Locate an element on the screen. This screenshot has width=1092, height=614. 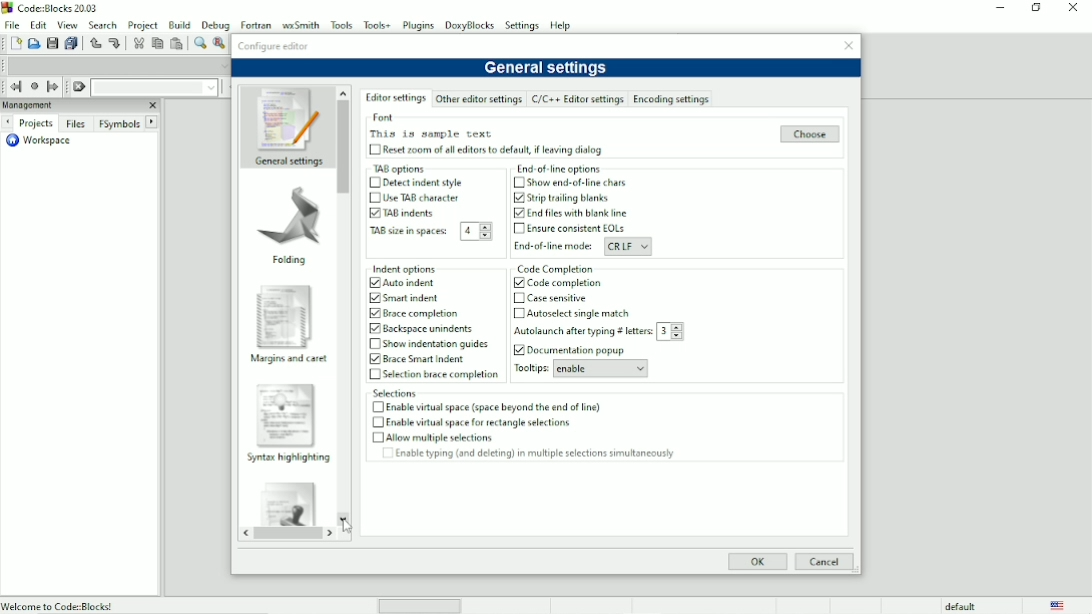
smart indent is located at coordinates (414, 298).